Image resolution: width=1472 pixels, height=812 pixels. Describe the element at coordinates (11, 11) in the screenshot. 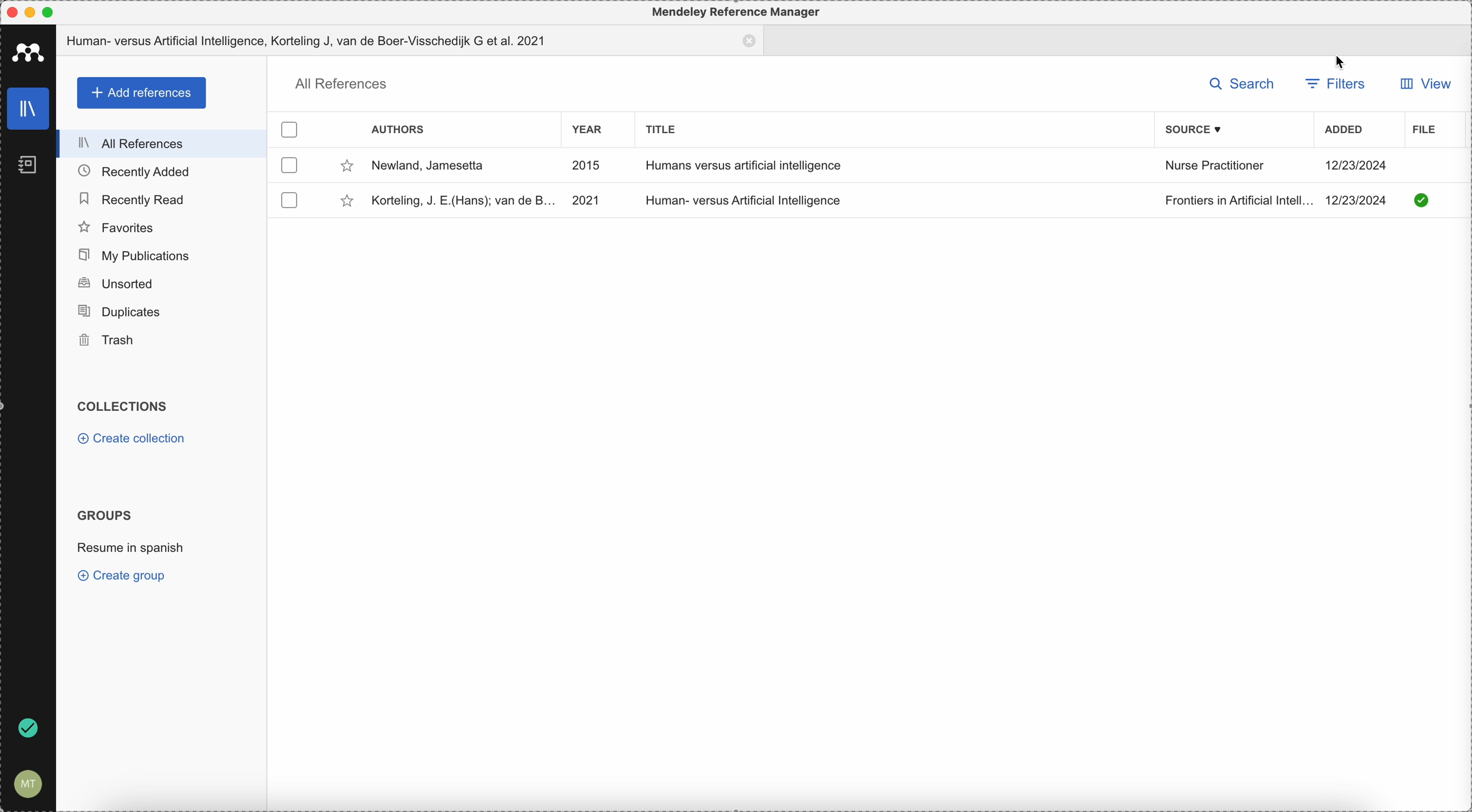

I see `close Mendeley` at that location.